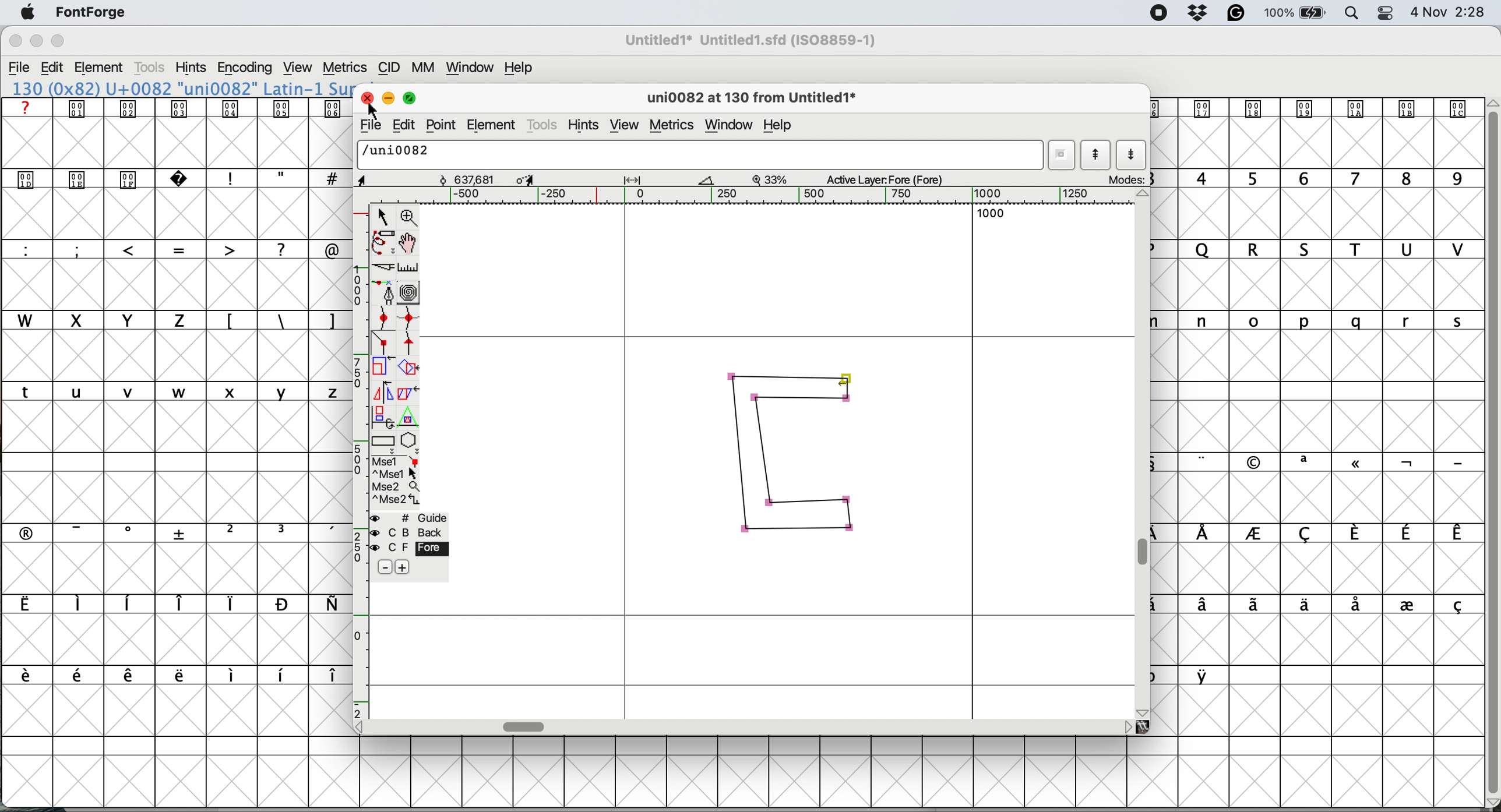 Image resolution: width=1501 pixels, height=812 pixels. I want to click on symbols, so click(281, 322).